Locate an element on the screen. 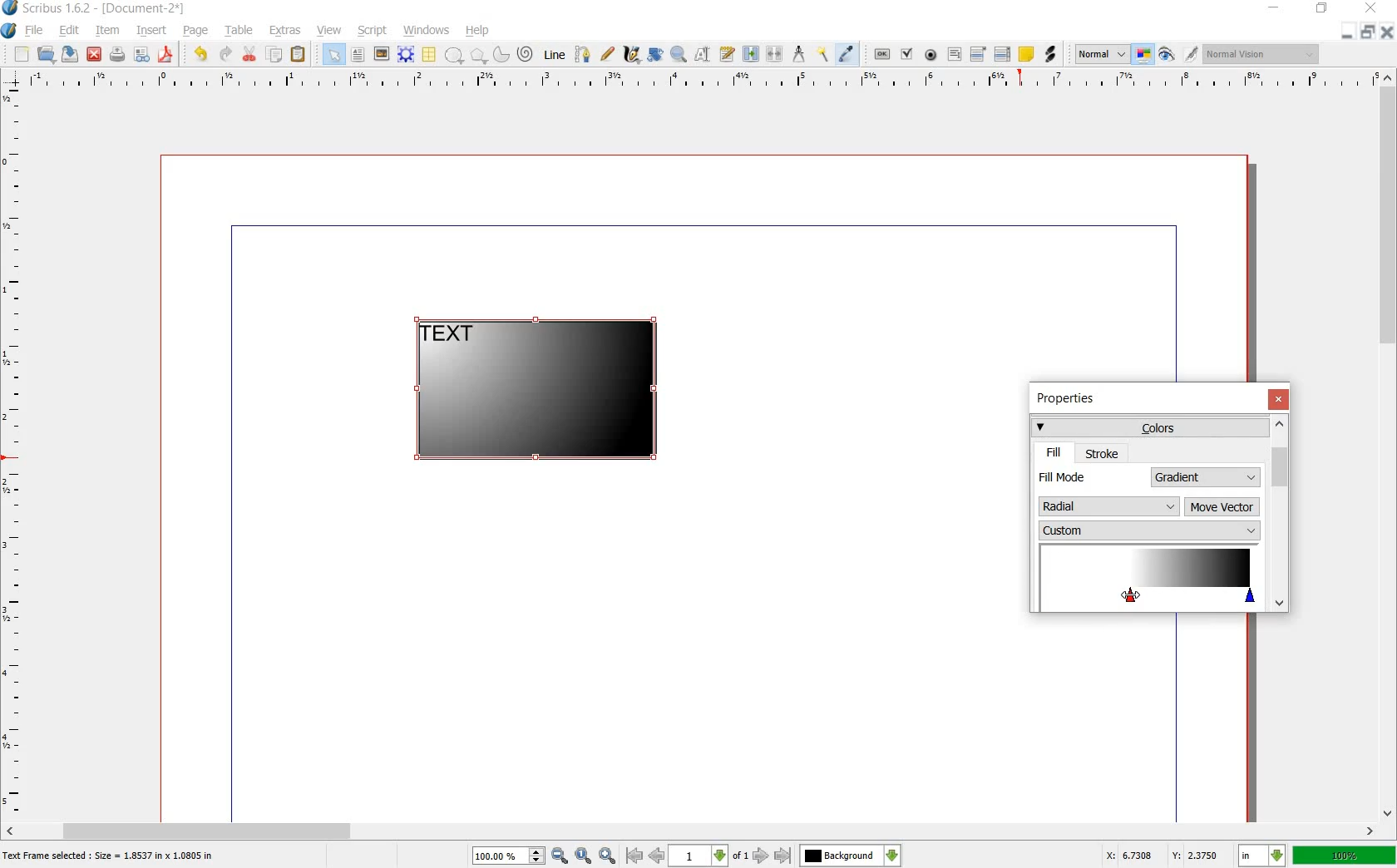  Background is located at coordinates (851, 856).